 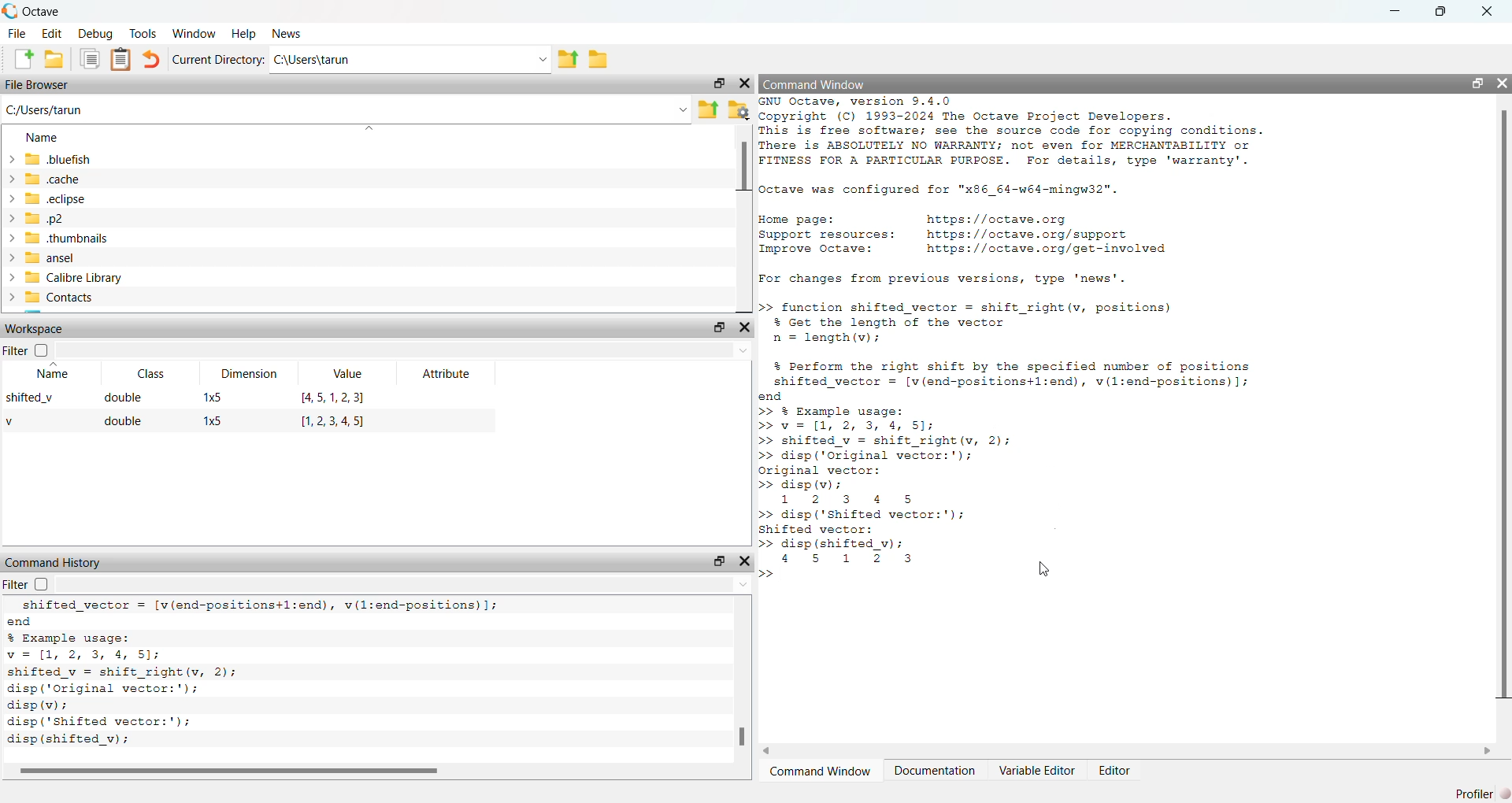 What do you see at coordinates (824, 772) in the screenshot?
I see `command window` at bounding box center [824, 772].